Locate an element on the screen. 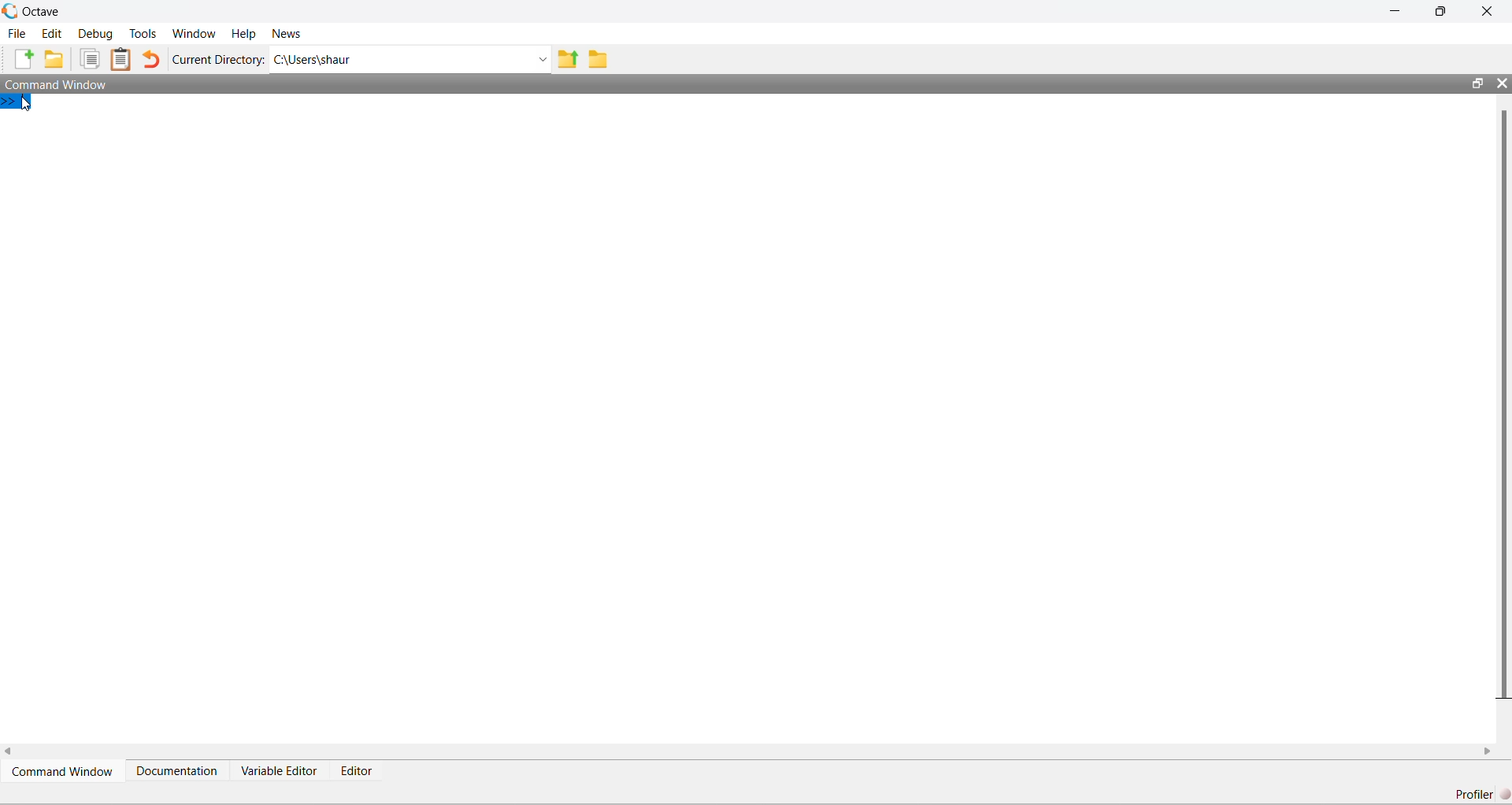 Image resolution: width=1512 pixels, height=805 pixels. maximize is located at coordinates (1440, 11).